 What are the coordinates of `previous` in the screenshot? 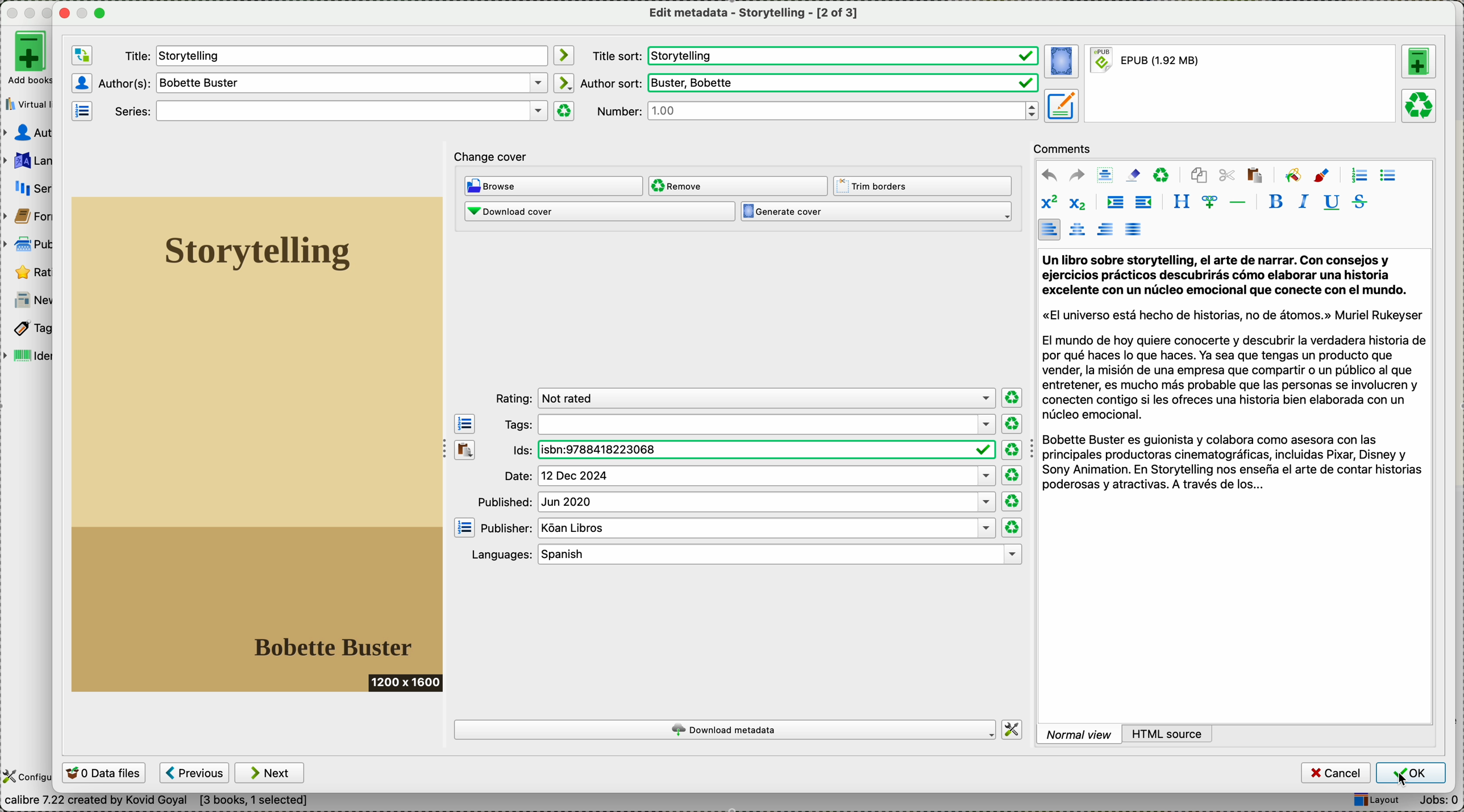 It's located at (195, 772).